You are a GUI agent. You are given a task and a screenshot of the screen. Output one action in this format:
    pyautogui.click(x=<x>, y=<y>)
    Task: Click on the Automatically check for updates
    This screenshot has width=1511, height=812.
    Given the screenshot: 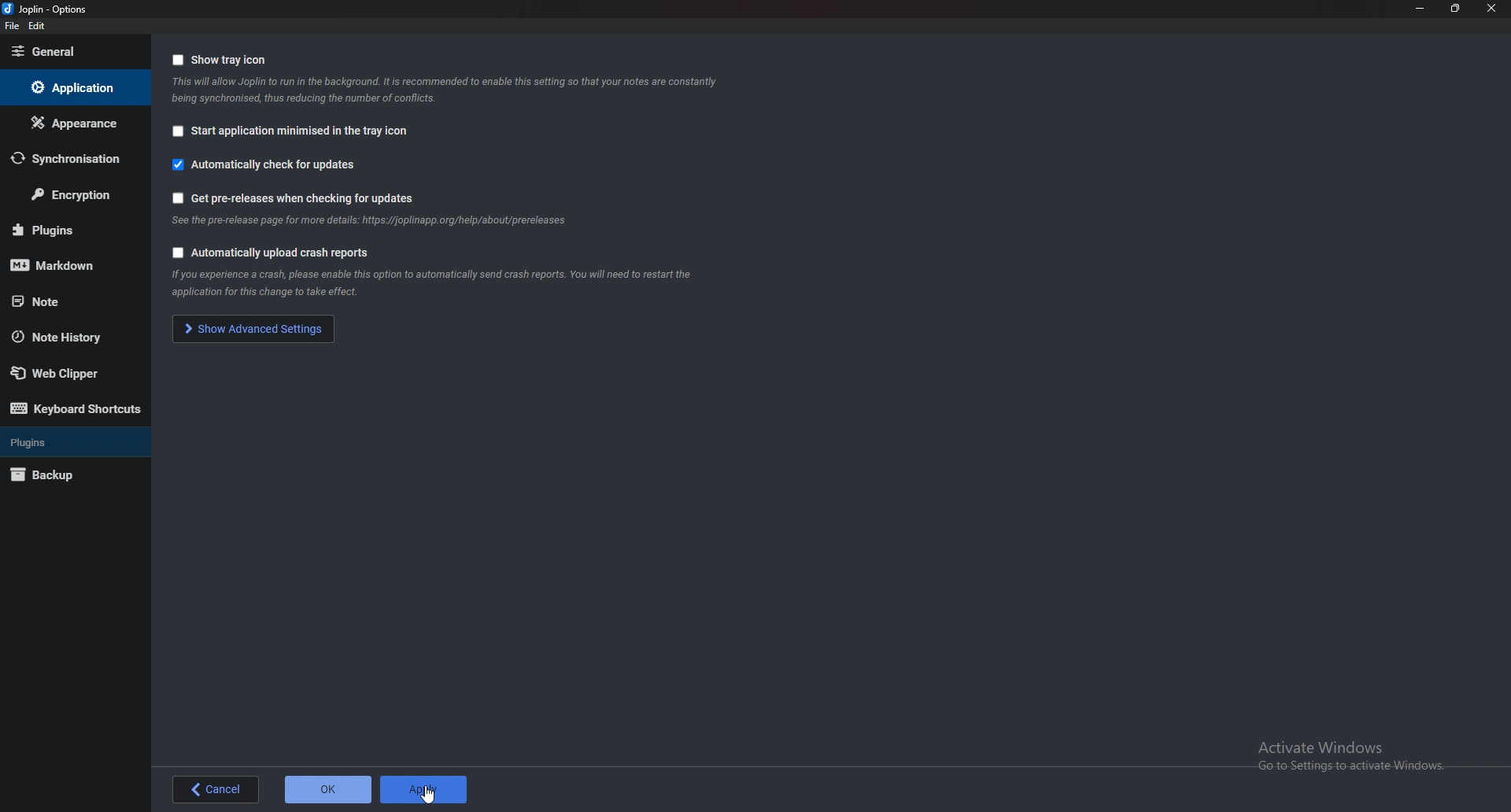 What is the action you would take?
    pyautogui.click(x=276, y=166)
    